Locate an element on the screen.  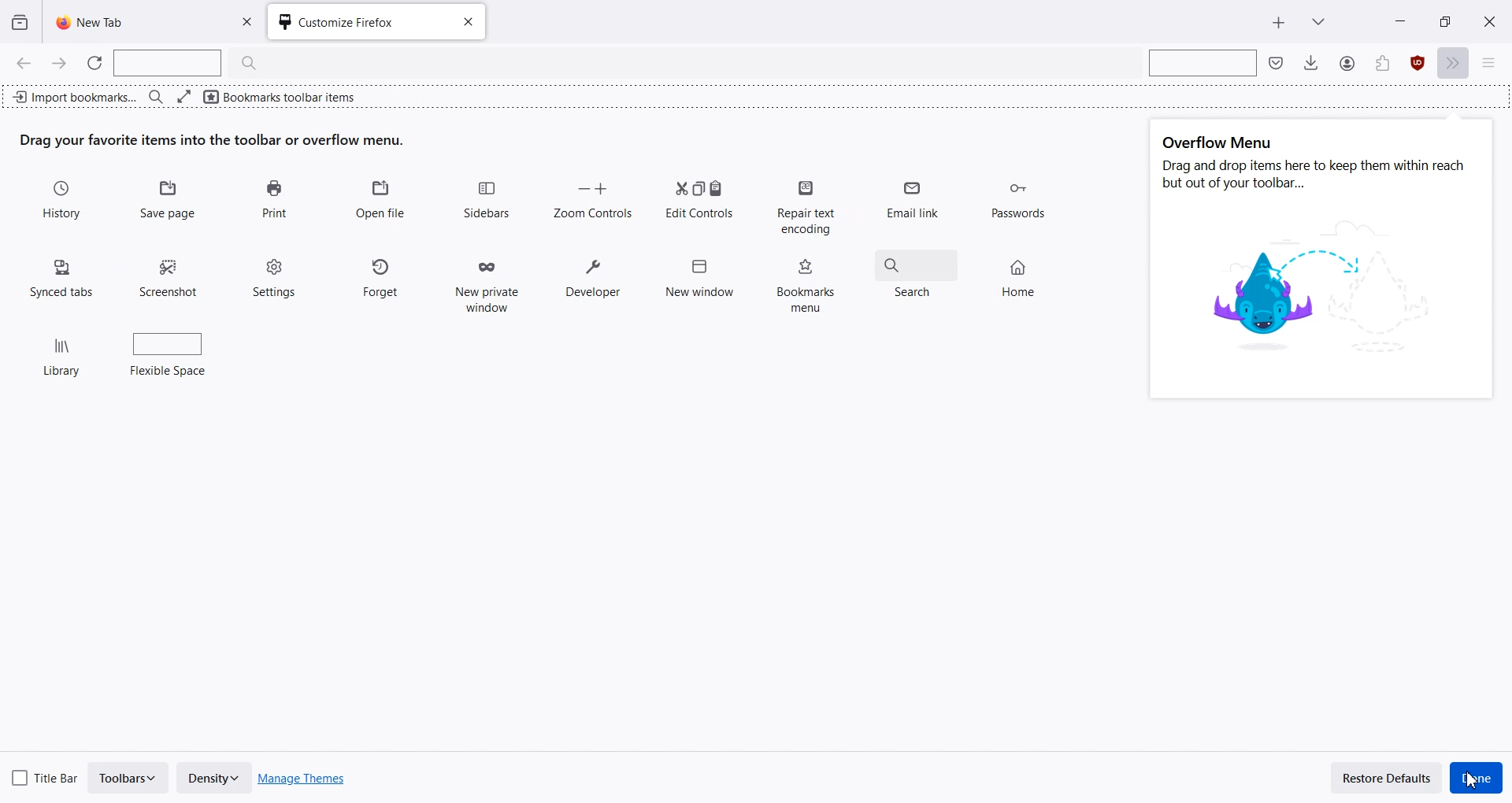
Passwords is located at coordinates (1017, 202).